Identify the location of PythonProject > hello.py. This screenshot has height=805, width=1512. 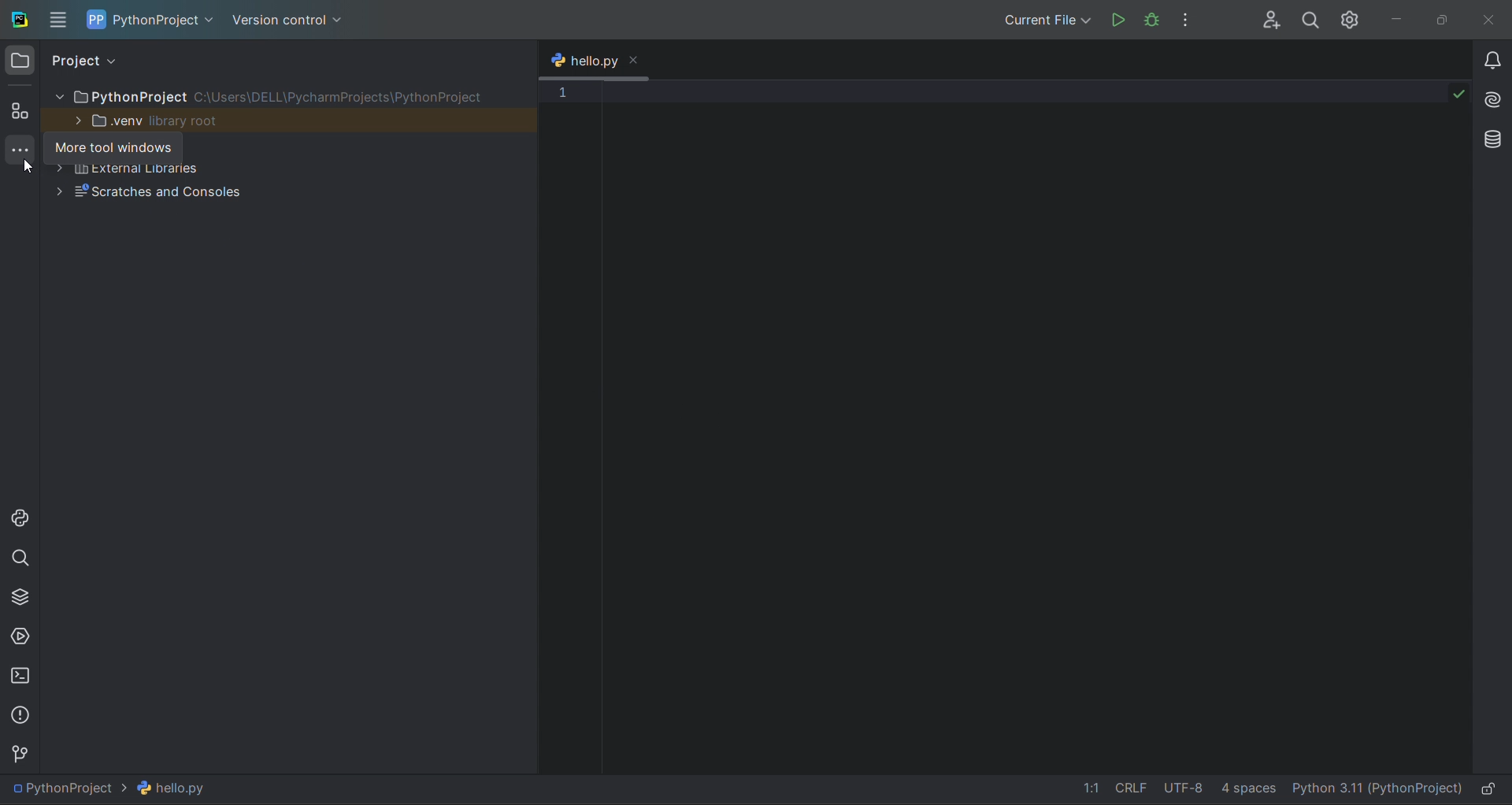
(113, 788).